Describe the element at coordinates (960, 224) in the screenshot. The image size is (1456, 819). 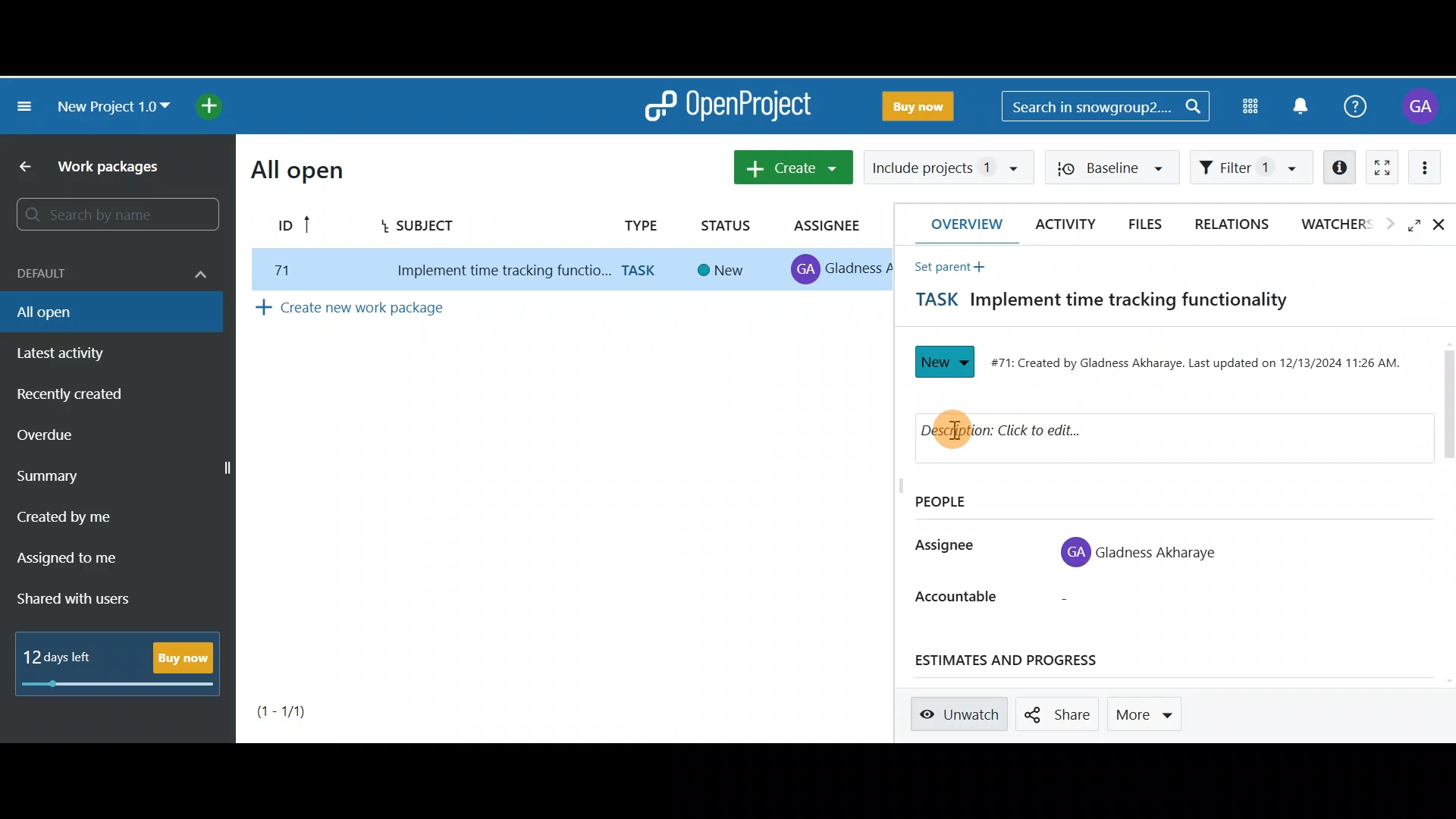
I see `Overview` at that location.